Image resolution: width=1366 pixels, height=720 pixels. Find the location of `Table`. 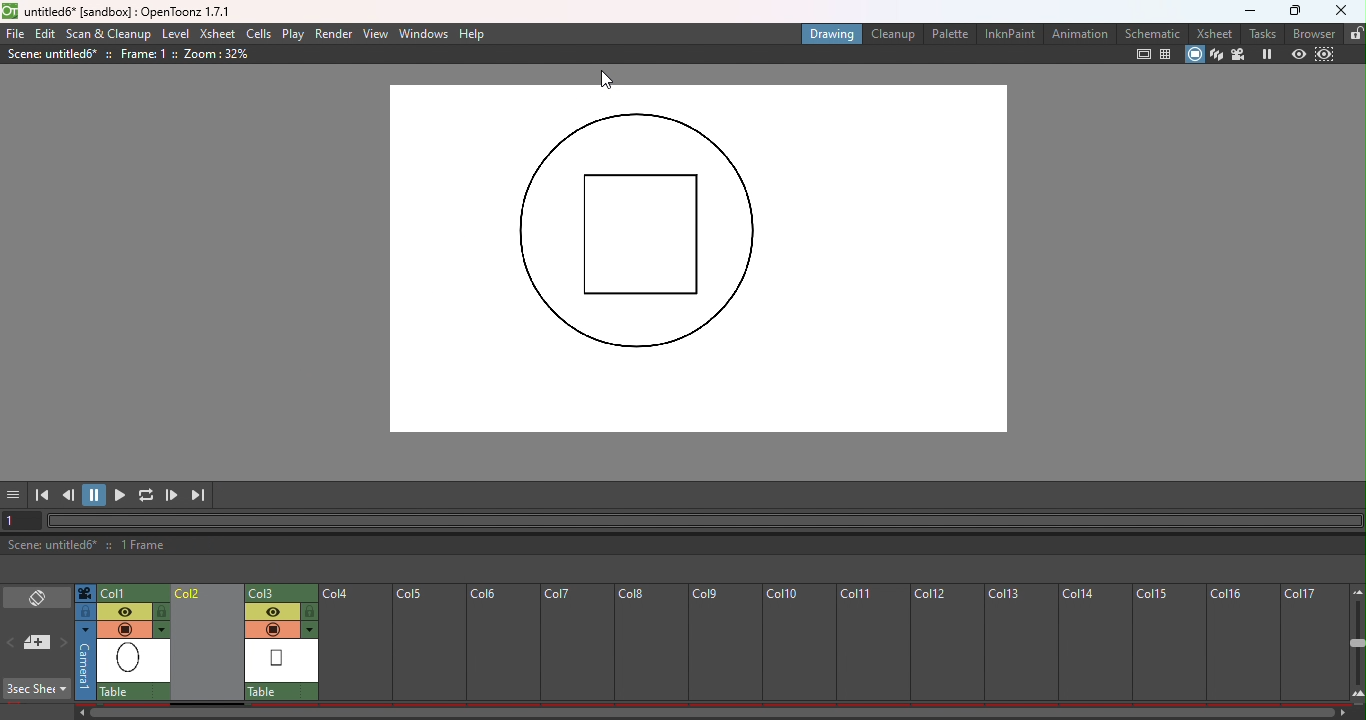

Table is located at coordinates (282, 690).